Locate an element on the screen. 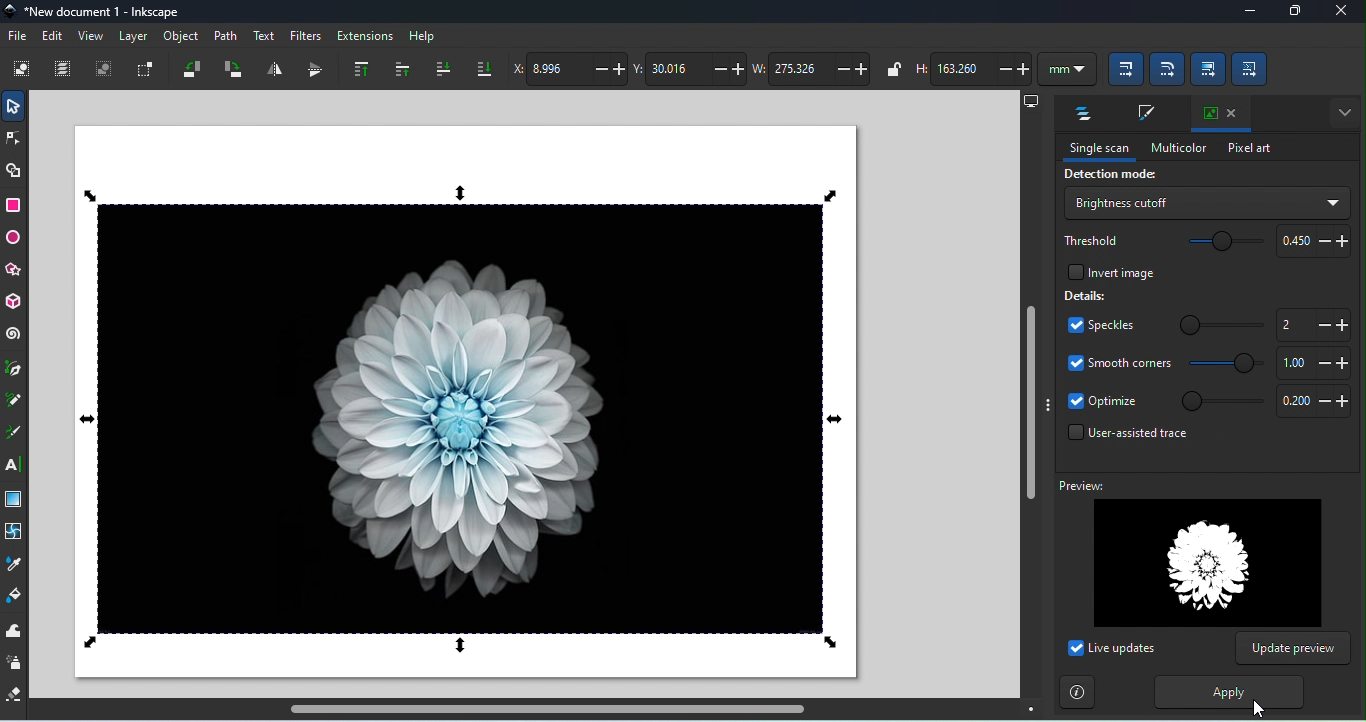  Threshold is located at coordinates (1089, 241).